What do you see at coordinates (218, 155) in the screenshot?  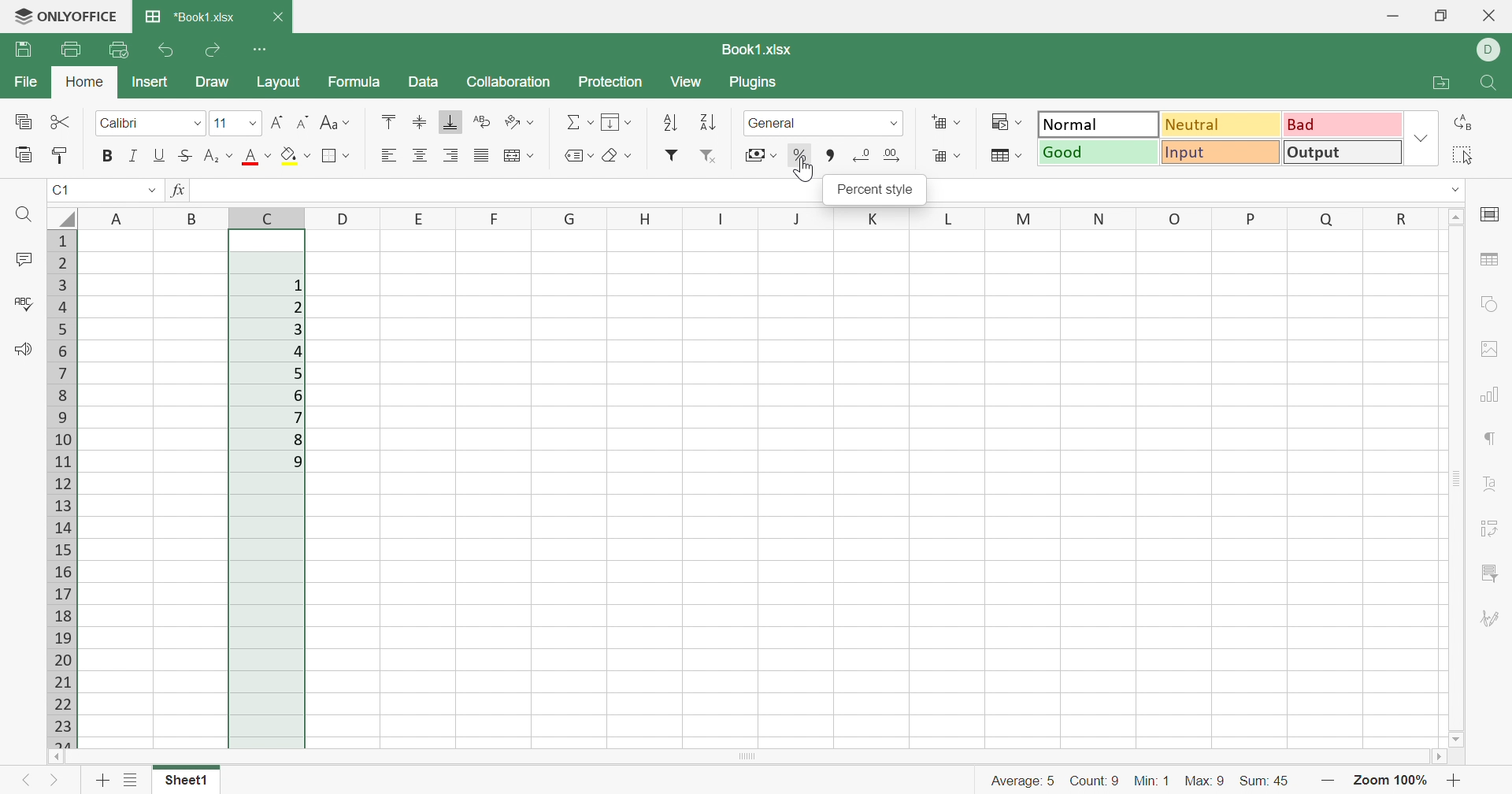 I see `Superscript / subscript` at bounding box center [218, 155].